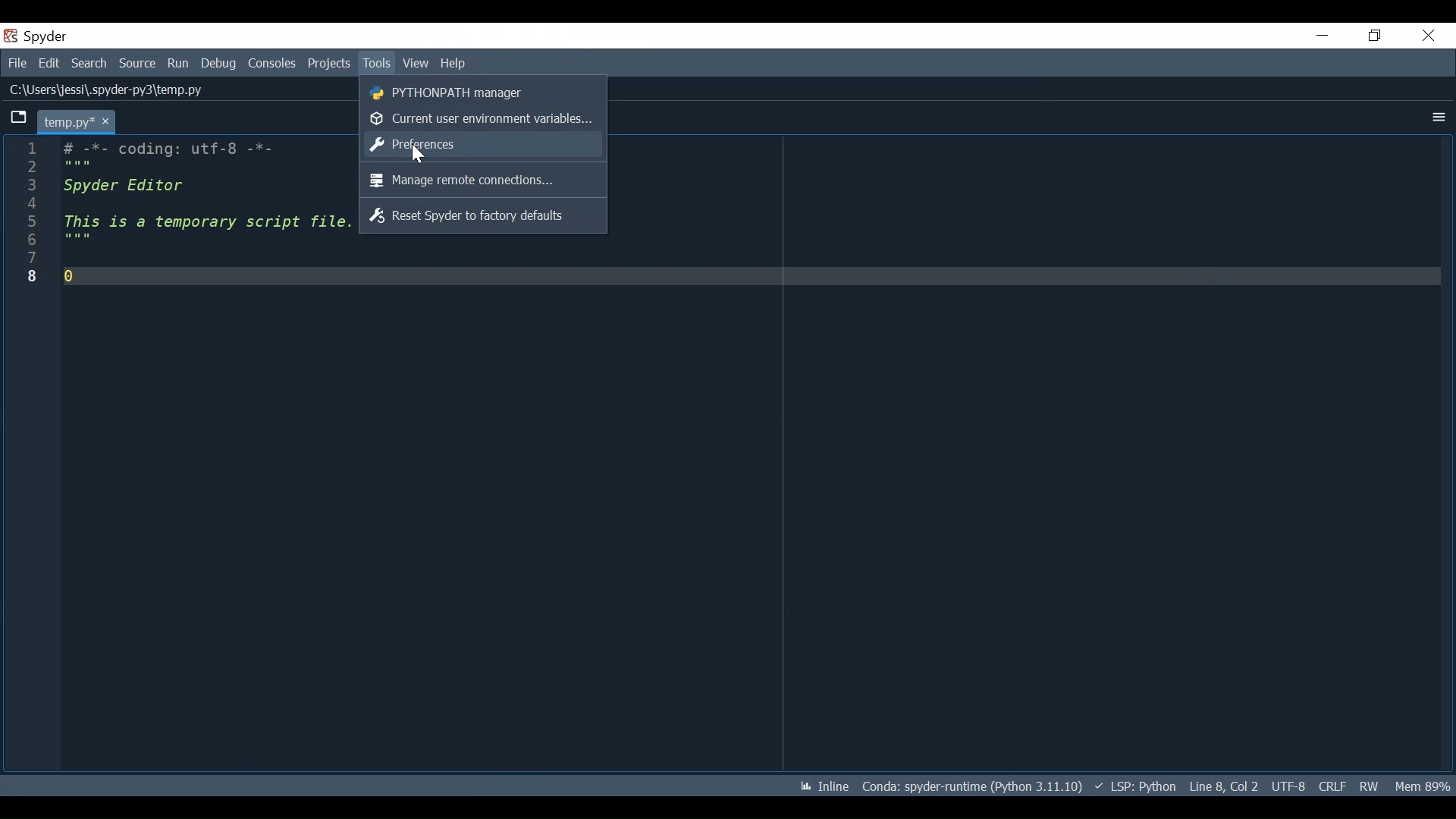  Describe the element at coordinates (485, 216) in the screenshot. I see `Reset Spyder to factory defaults` at that location.